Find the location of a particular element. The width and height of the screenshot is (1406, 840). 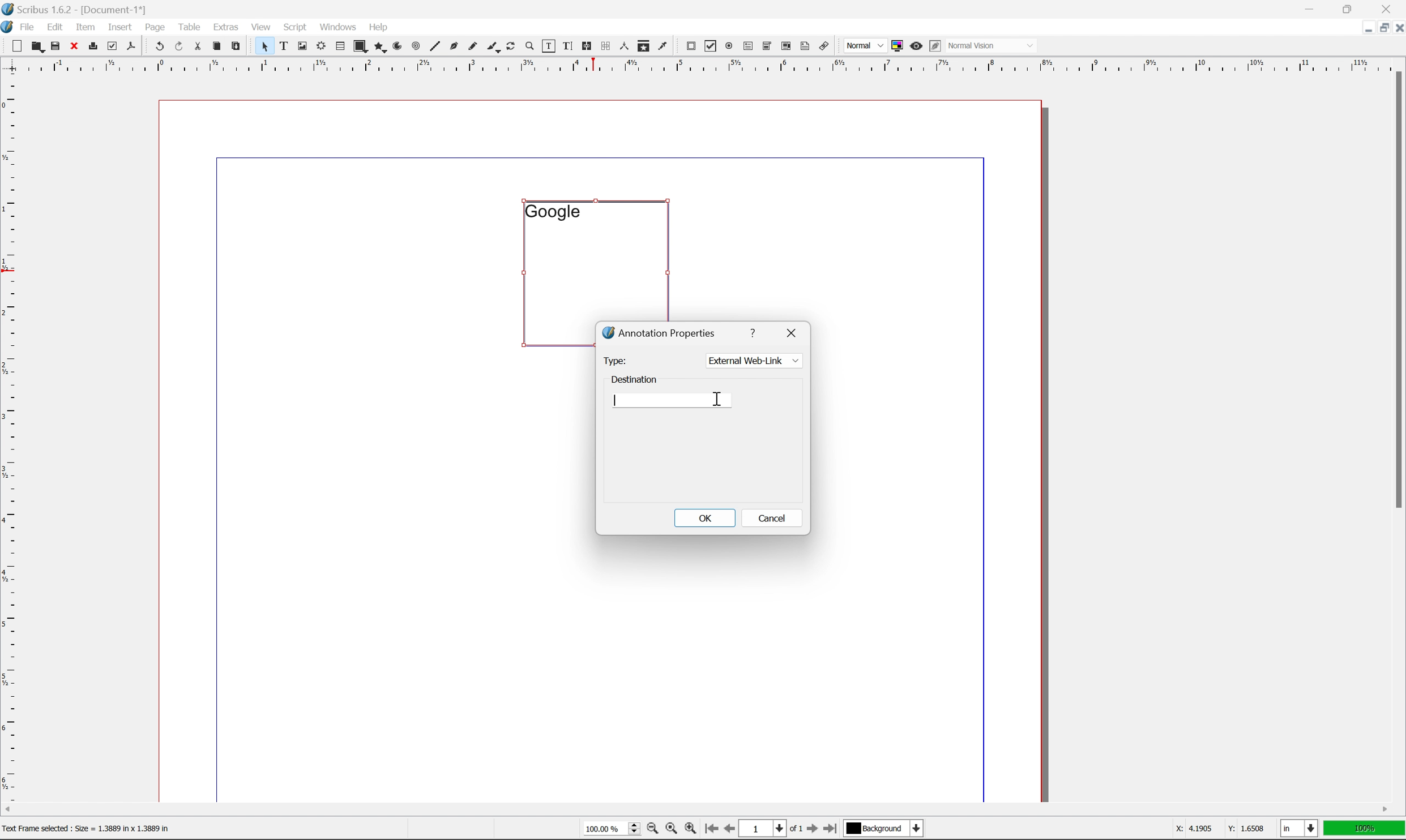

minimize is located at coordinates (1311, 8).